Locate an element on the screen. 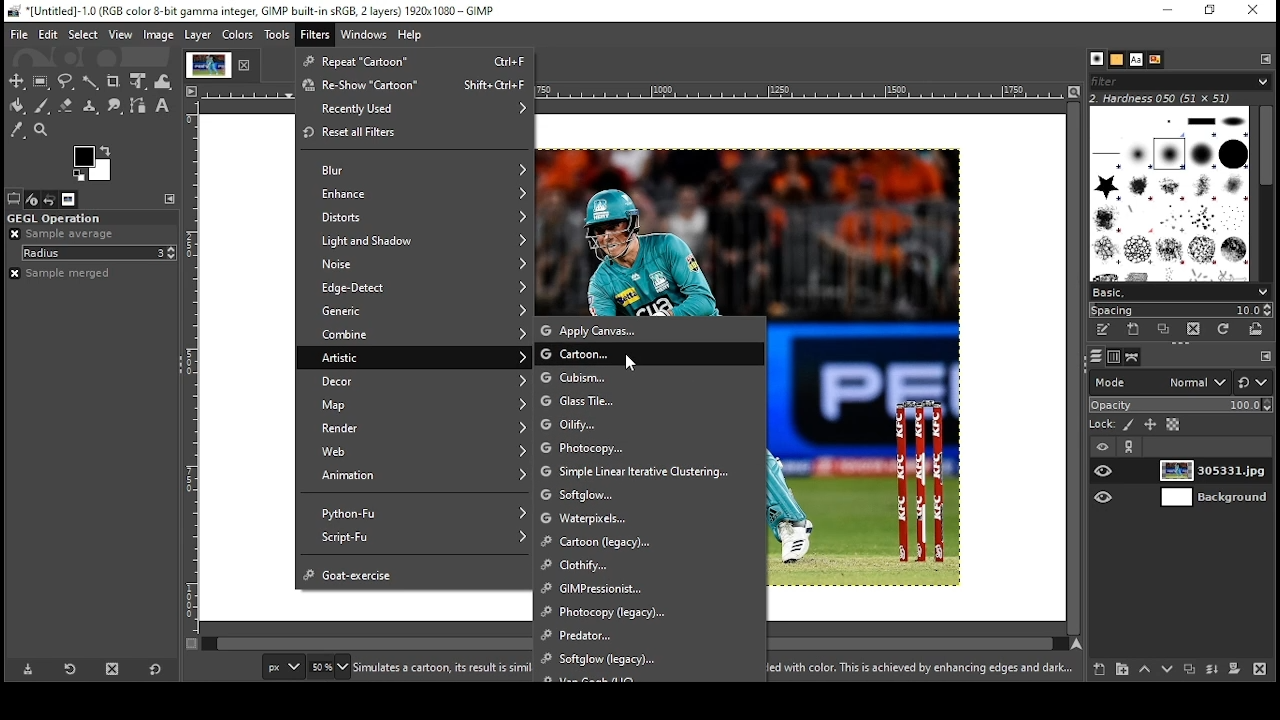  paths is located at coordinates (1133, 356).